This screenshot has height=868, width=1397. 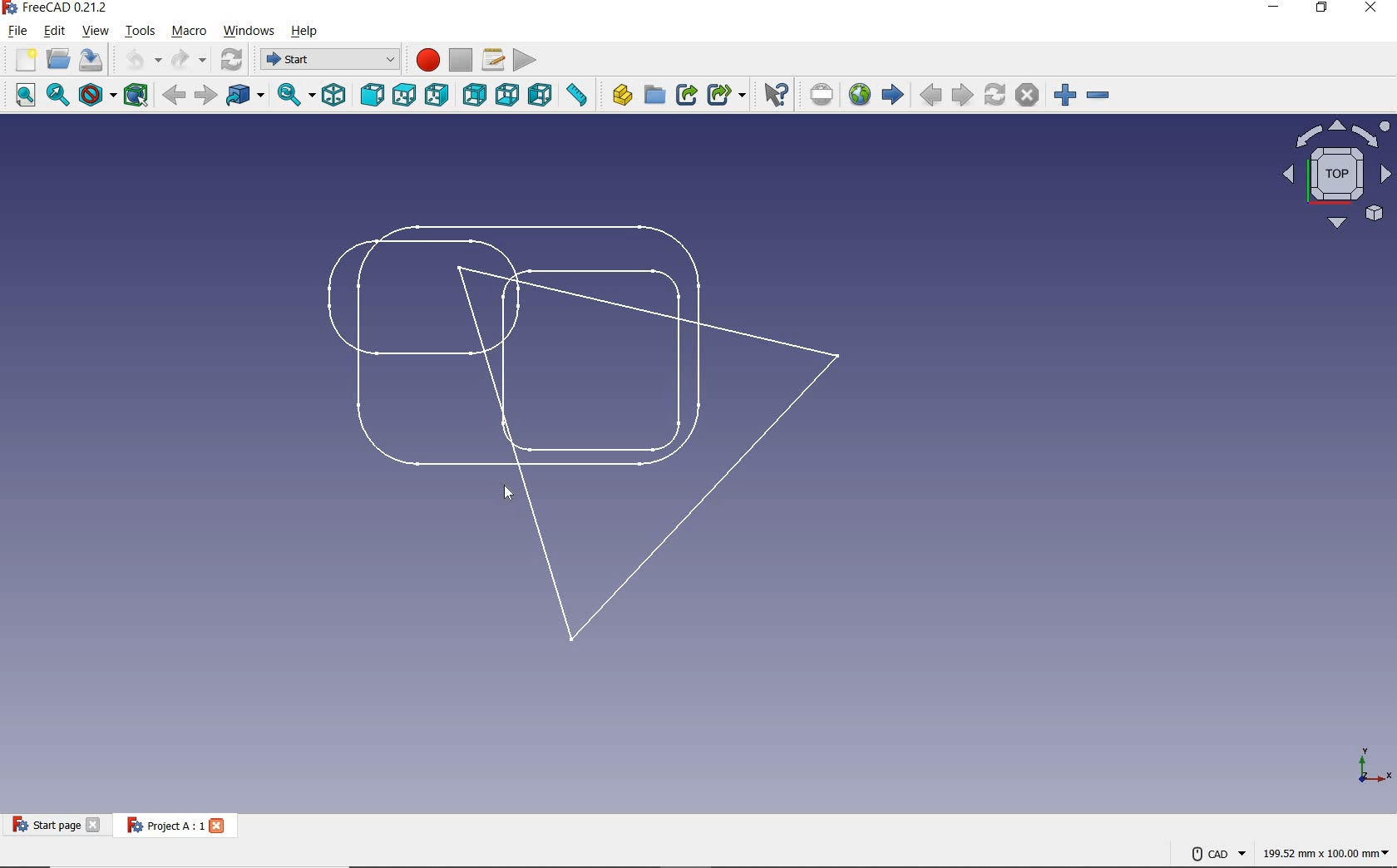 What do you see at coordinates (12, 7) in the screenshot?
I see `logo` at bounding box center [12, 7].